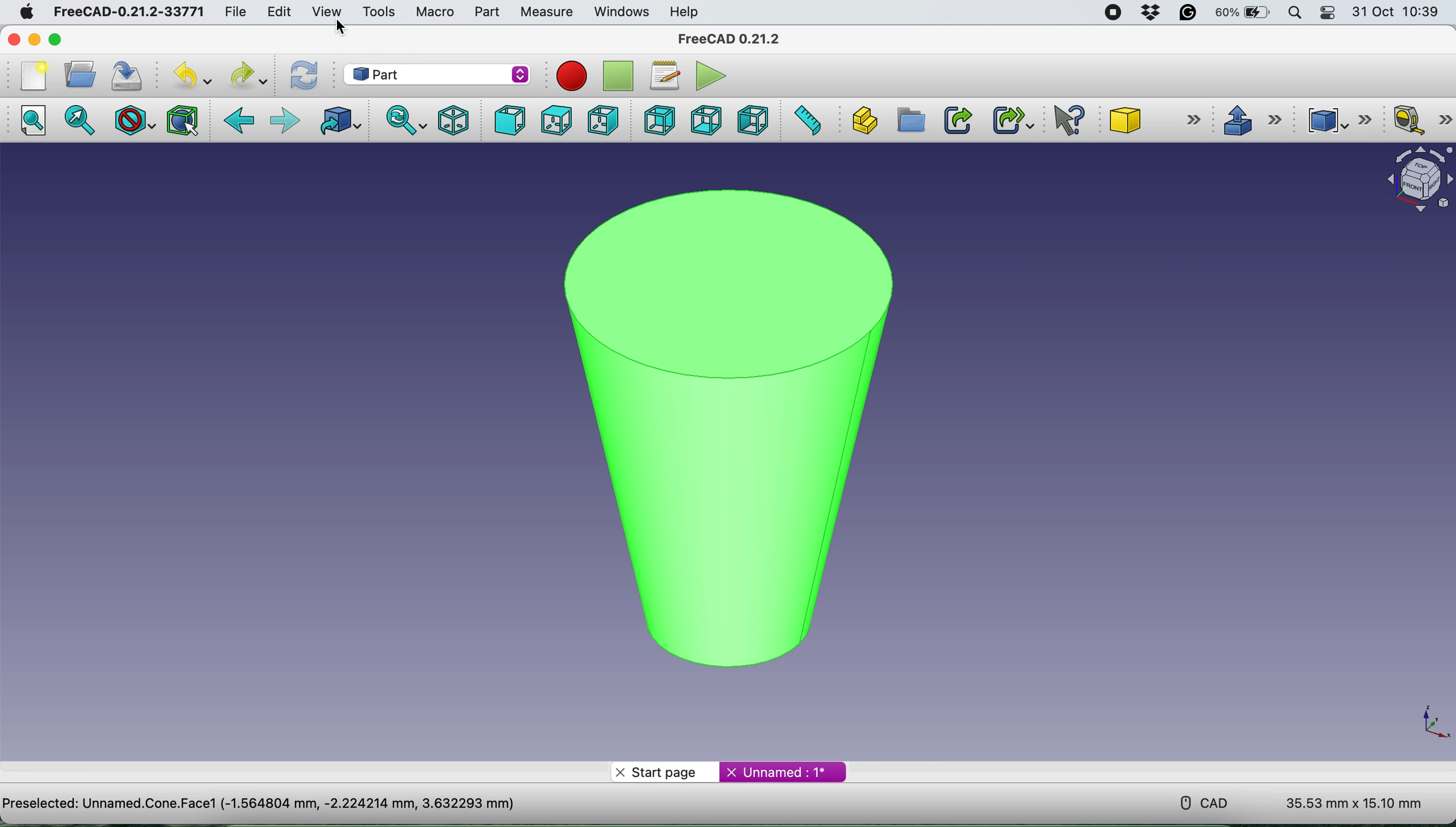 This screenshot has height=827, width=1456. Describe the element at coordinates (379, 12) in the screenshot. I see `tools` at that location.